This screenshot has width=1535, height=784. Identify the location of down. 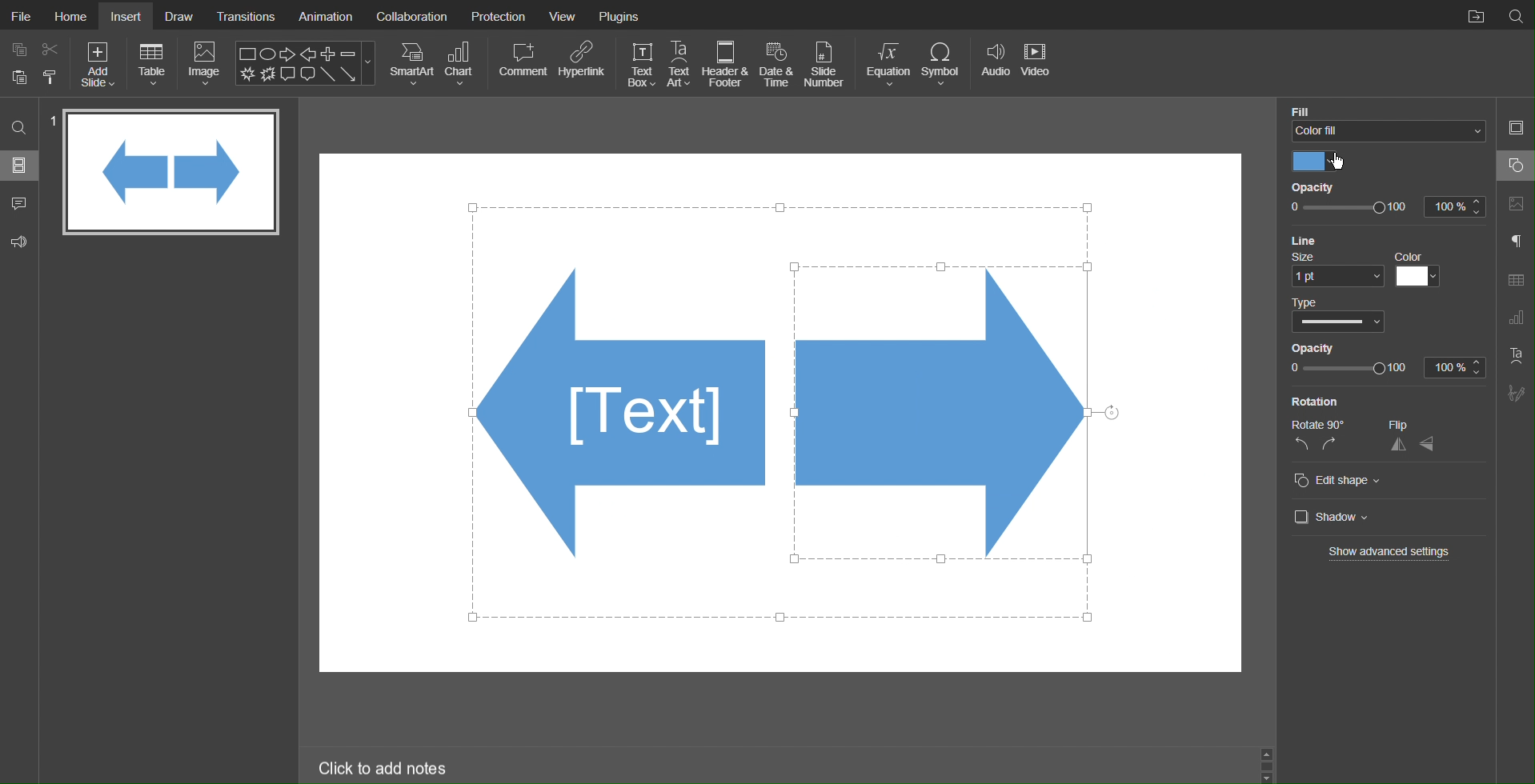
(1269, 775).